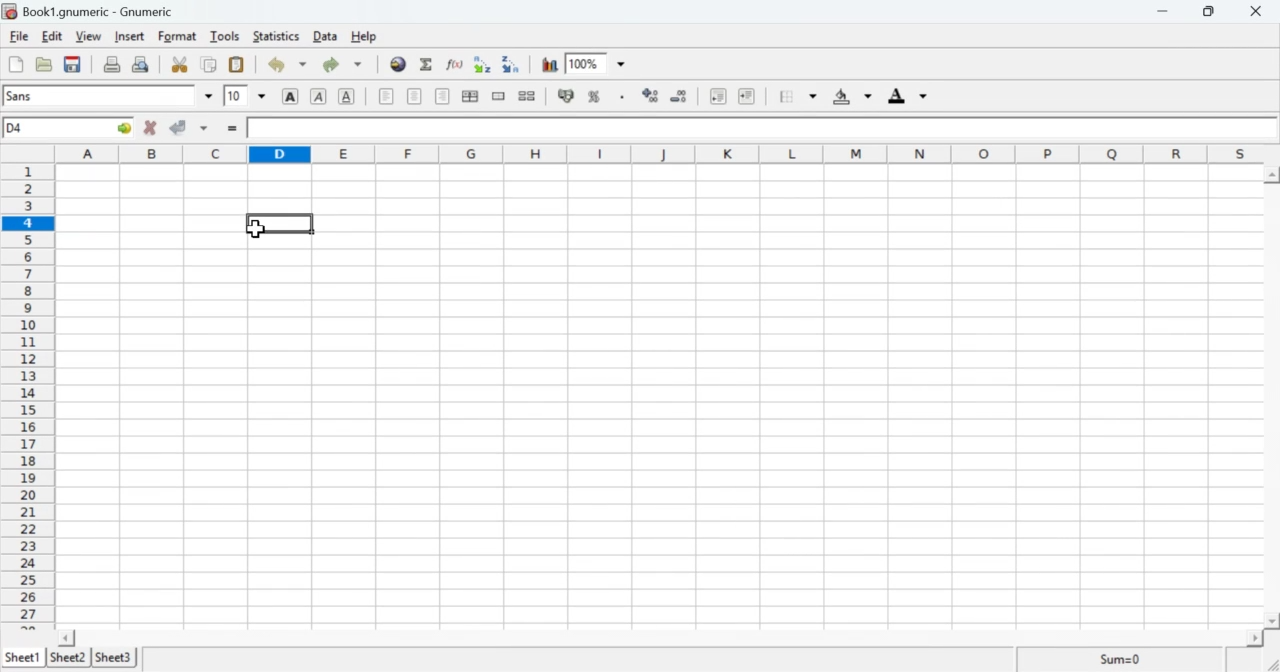  What do you see at coordinates (621, 97) in the screenshot?
I see `Thousand separator` at bounding box center [621, 97].